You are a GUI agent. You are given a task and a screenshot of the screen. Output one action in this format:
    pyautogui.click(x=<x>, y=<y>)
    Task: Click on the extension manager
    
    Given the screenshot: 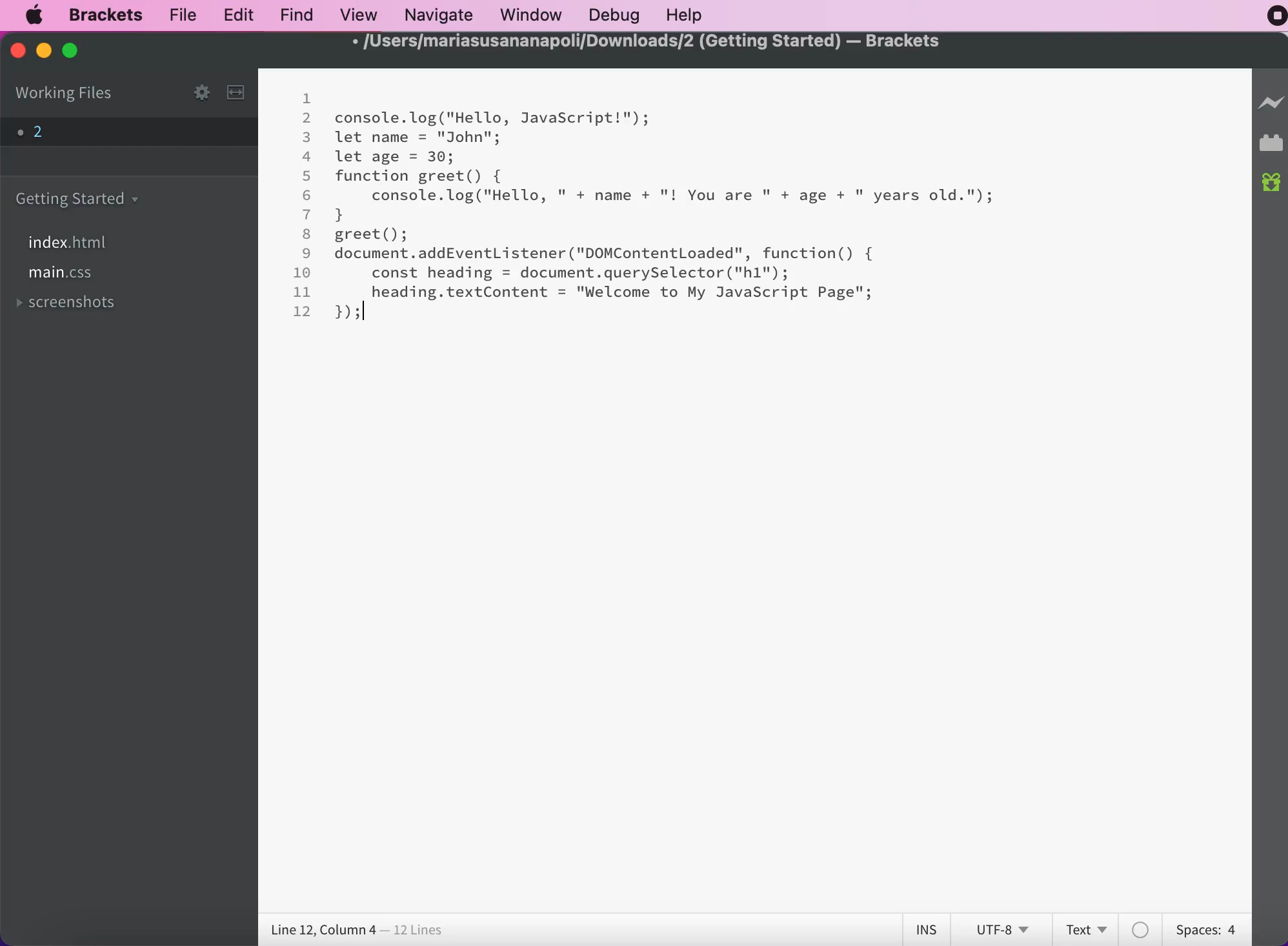 What is the action you would take?
    pyautogui.click(x=1271, y=144)
    